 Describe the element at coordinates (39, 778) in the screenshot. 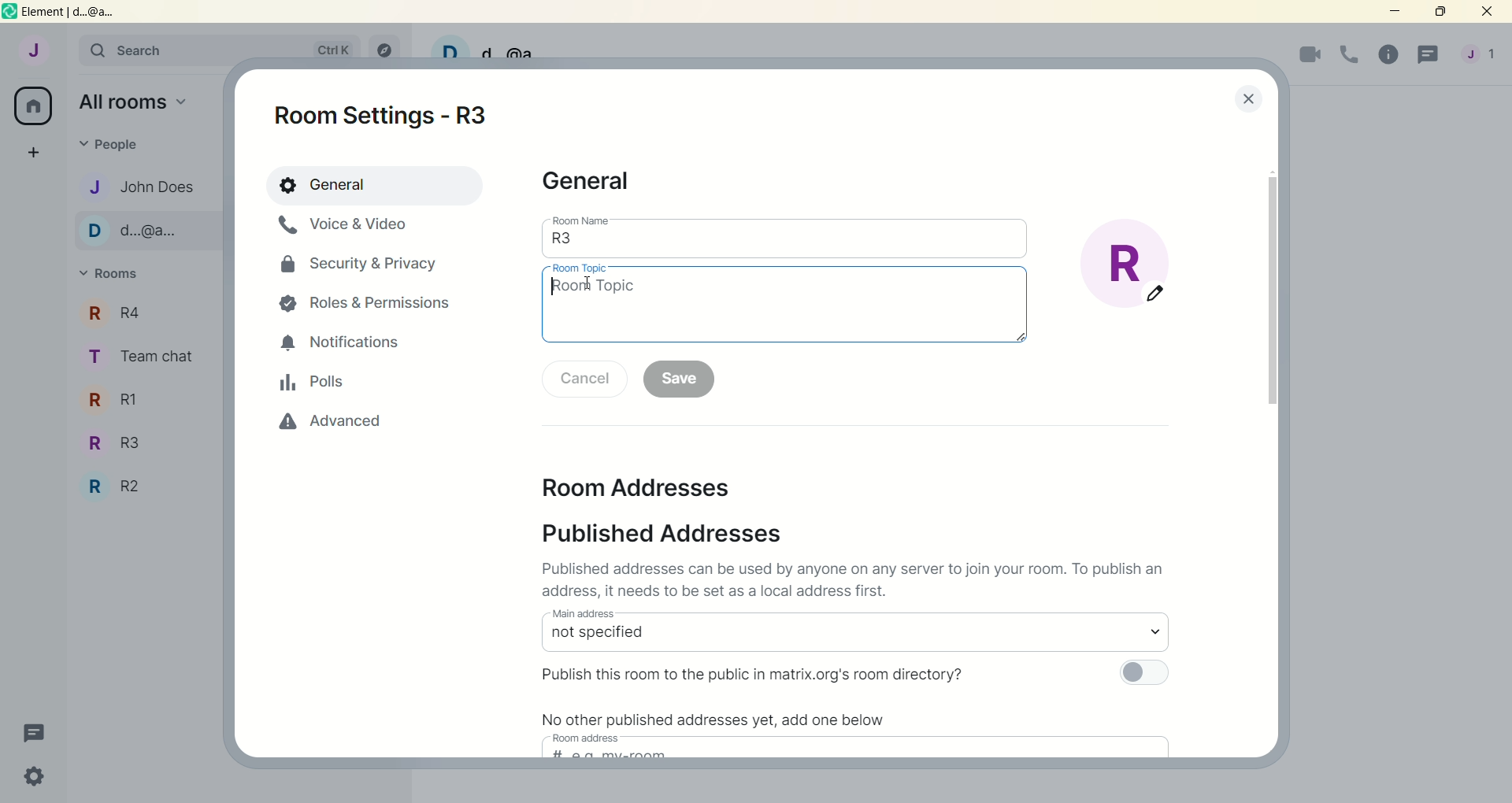

I see `quick settings` at that location.